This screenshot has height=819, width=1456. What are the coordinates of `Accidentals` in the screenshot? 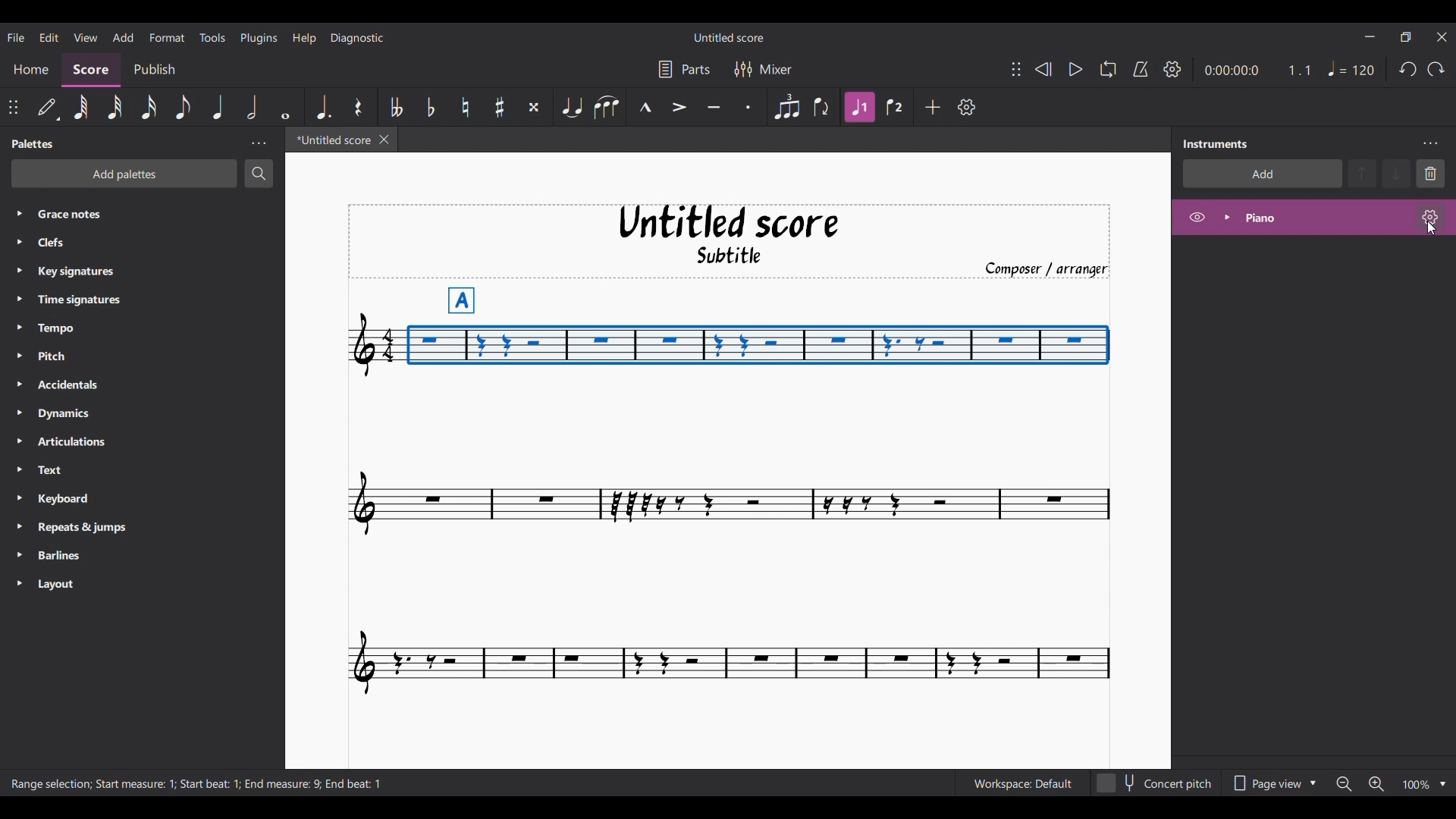 It's located at (90, 386).